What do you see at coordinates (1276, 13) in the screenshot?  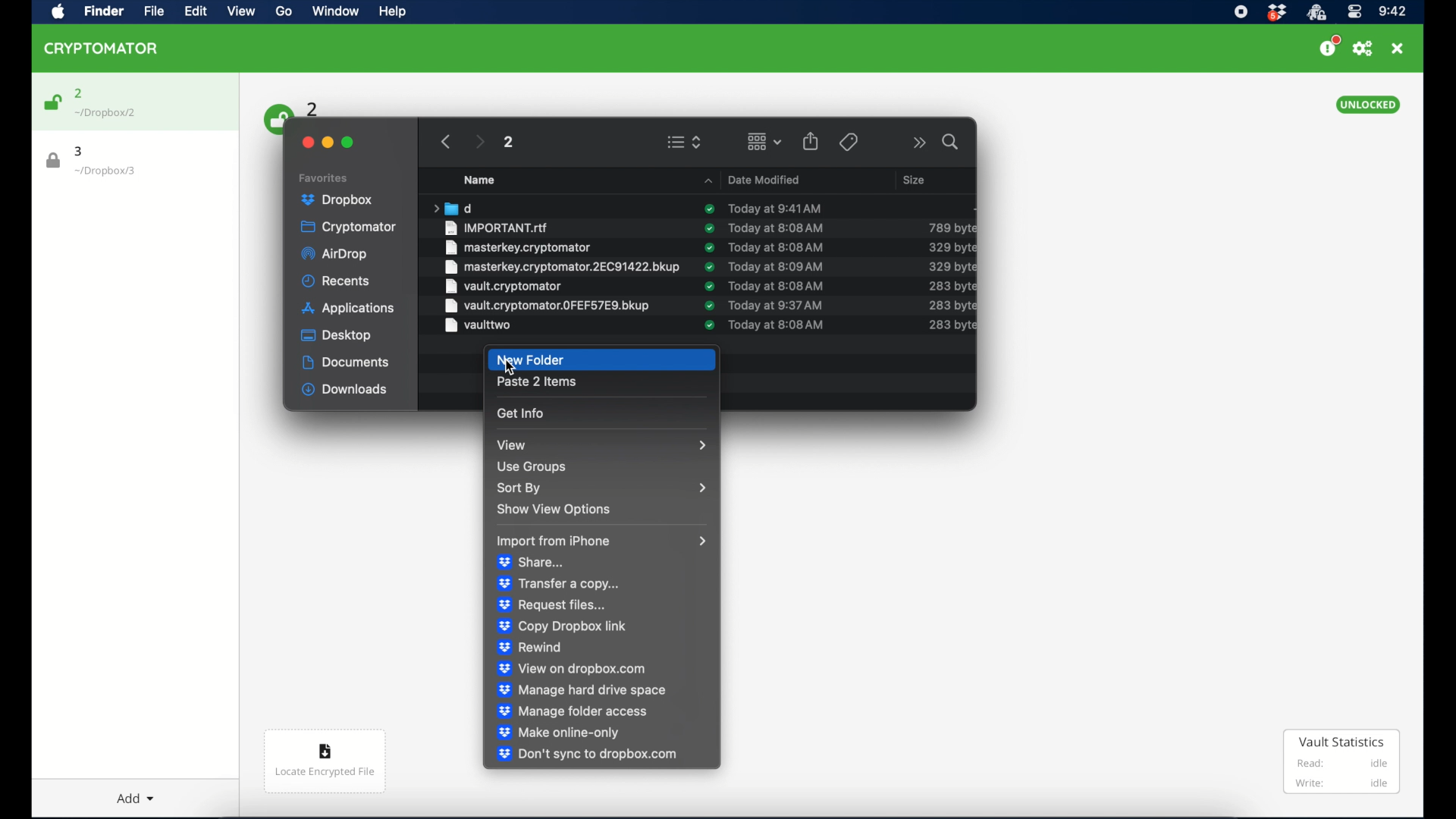 I see `dropbox icon` at bounding box center [1276, 13].